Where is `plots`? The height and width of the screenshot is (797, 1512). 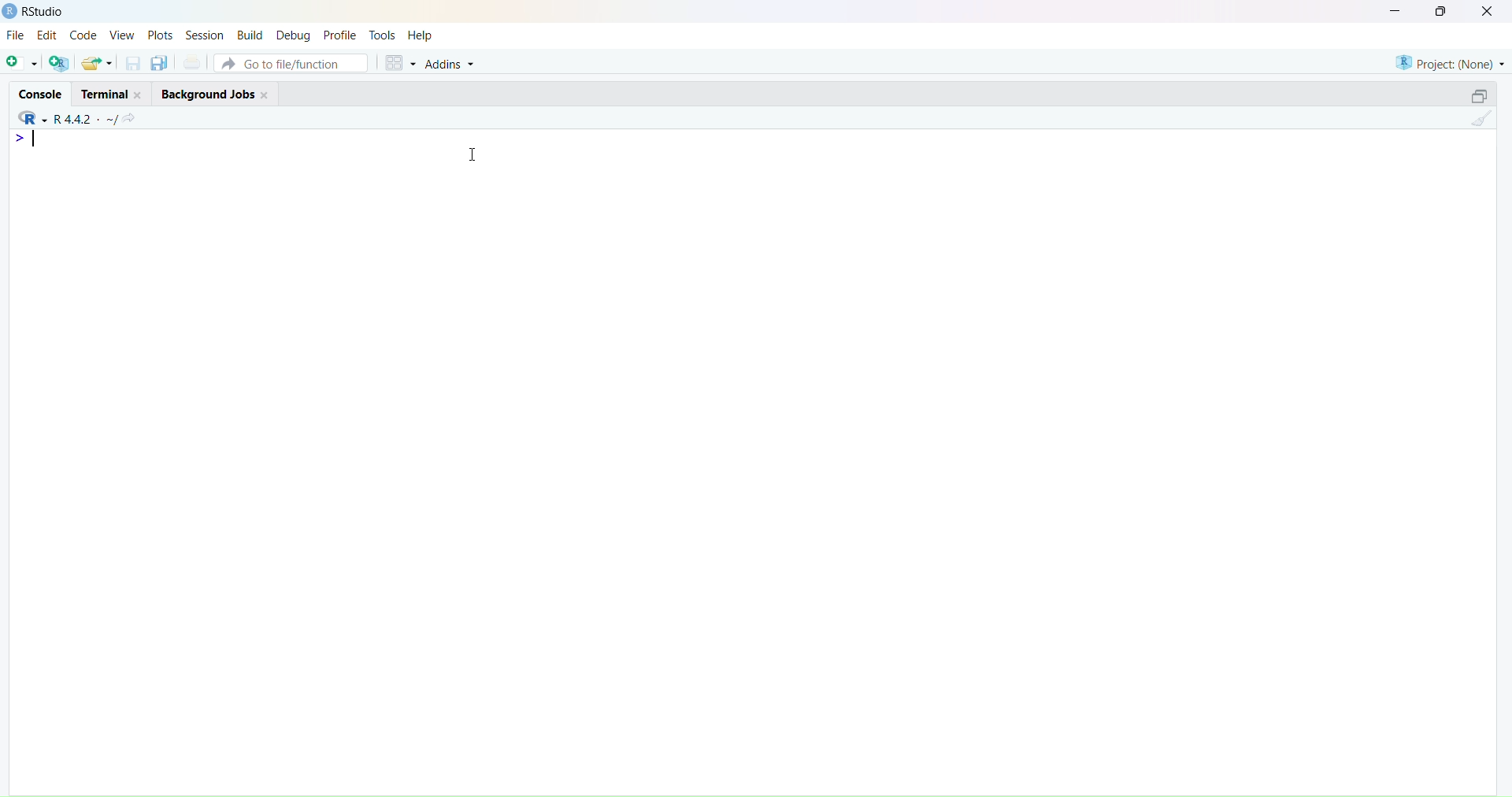
plots is located at coordinates (161, 36).